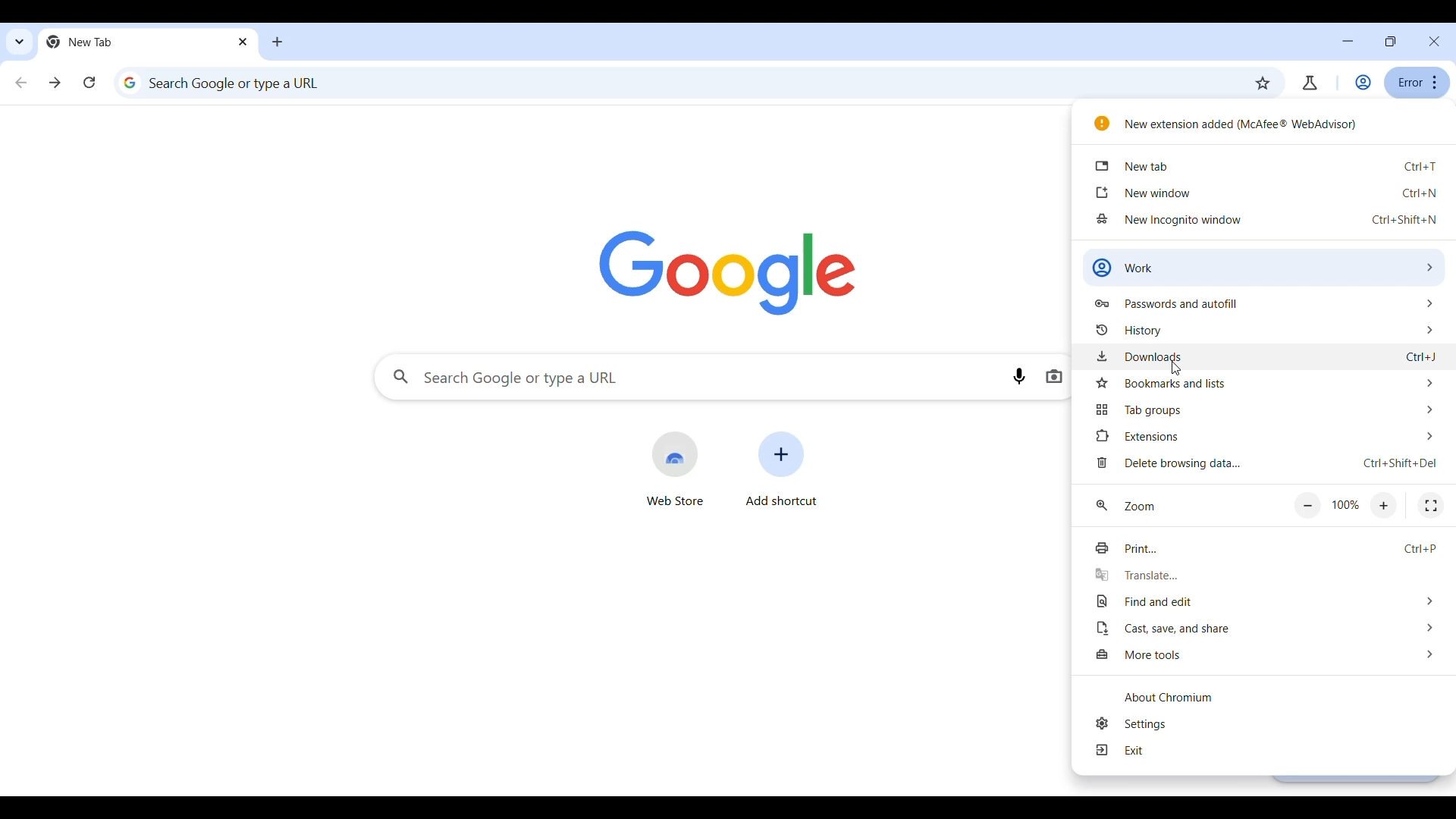 The image size is (1456, 819). I want to click on zoom, so click(1125, 506).